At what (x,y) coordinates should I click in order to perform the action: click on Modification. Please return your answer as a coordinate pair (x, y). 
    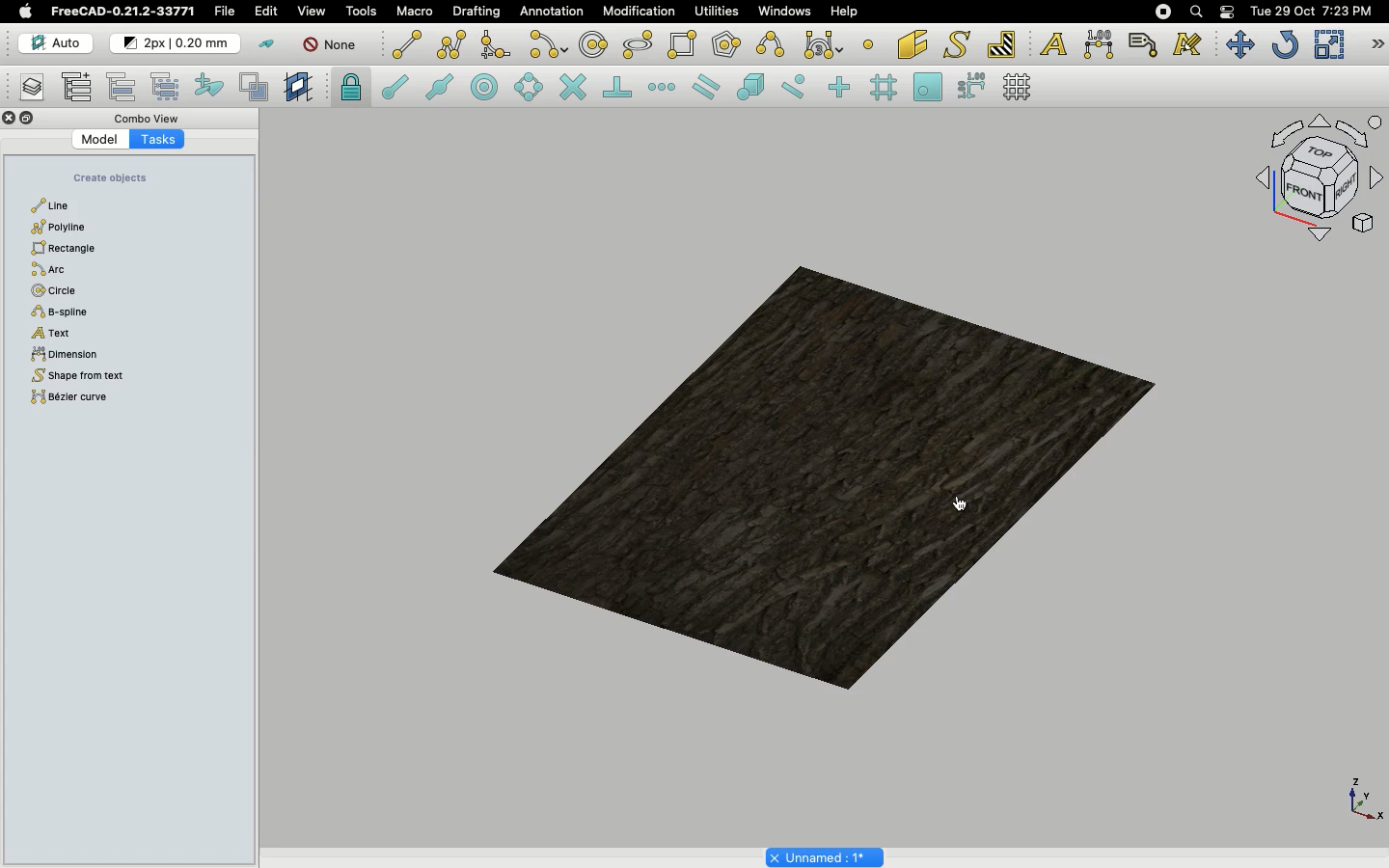
    Looking at the image, I should click on (633, 11).